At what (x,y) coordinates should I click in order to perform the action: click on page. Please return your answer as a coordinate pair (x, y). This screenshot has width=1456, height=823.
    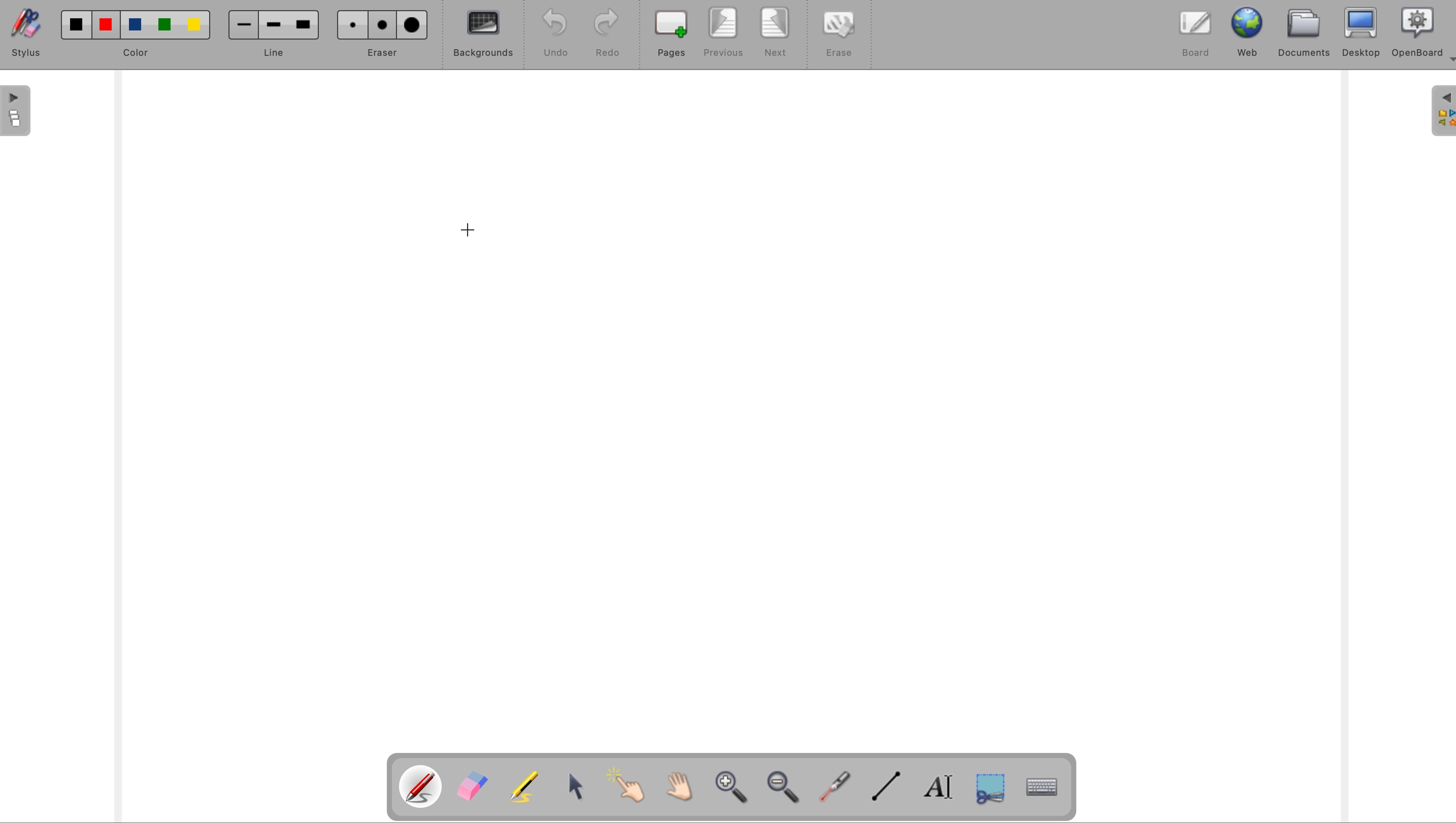
    Looking at the image, I should click on (15, 111).